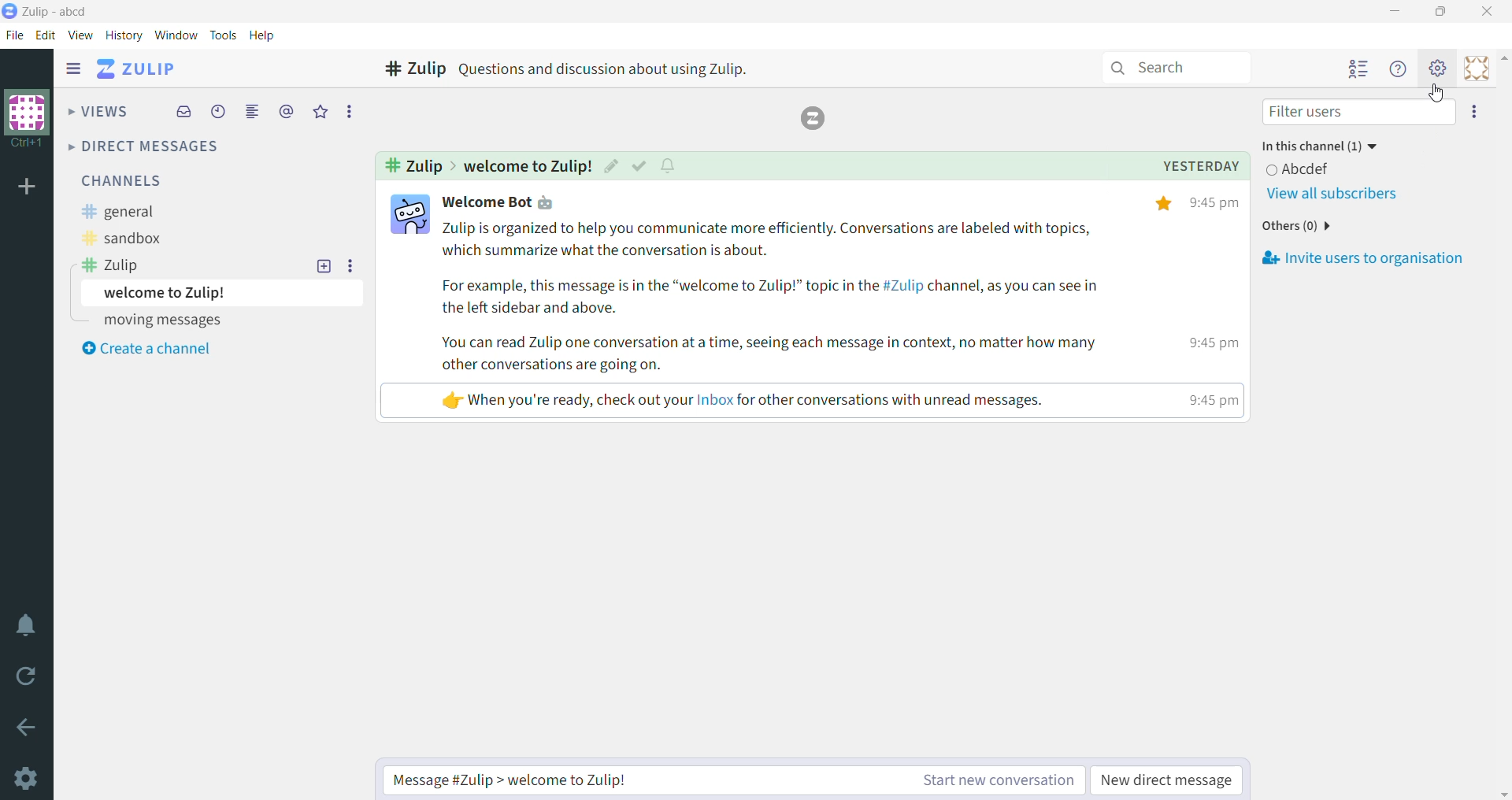  I want to click on Views, so click(100, 109).